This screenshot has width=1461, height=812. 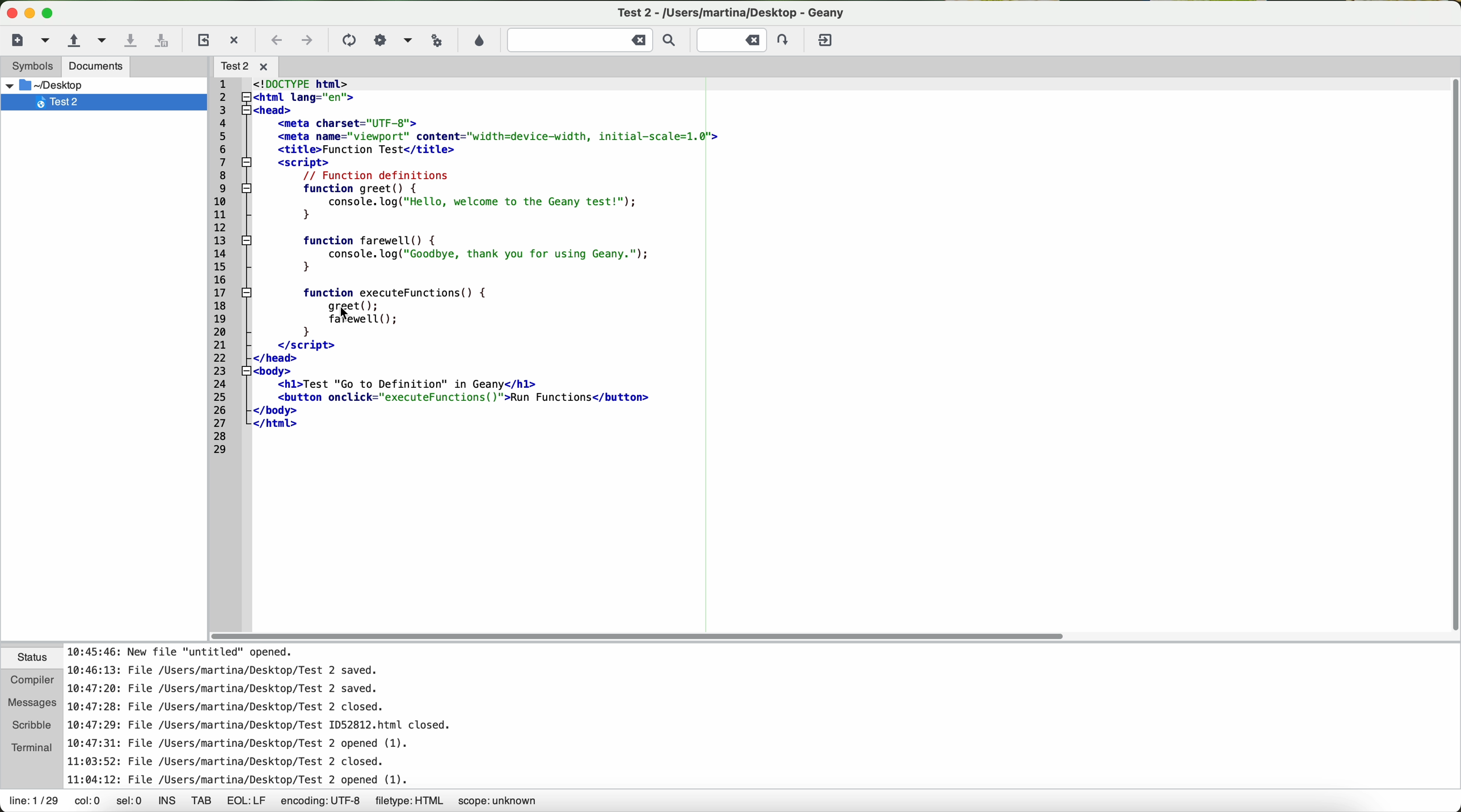 What do you see at coordinates (29, 680) in the screenshot?
I see `compiler` at bounding box center [29, 680].